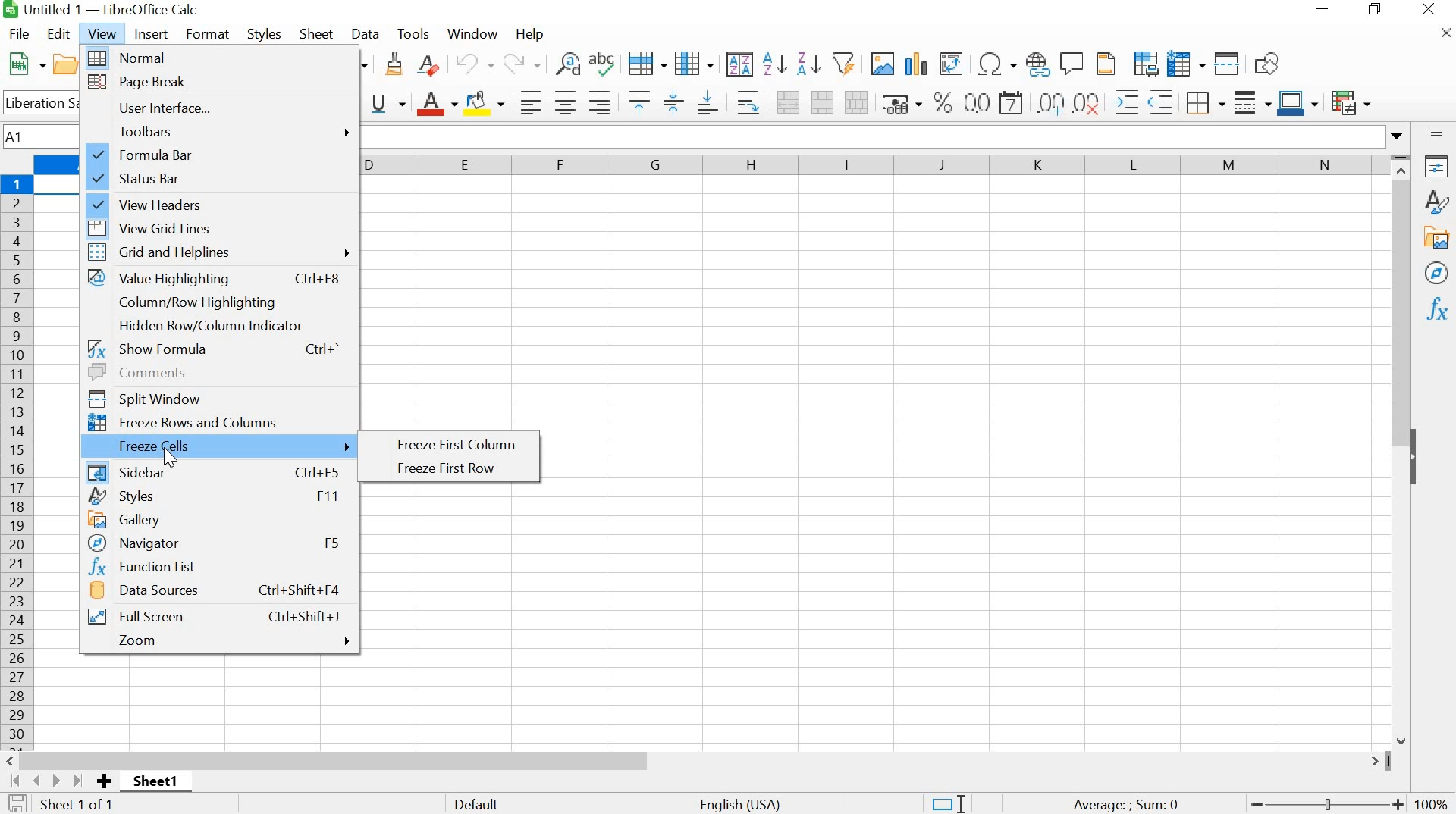 The image size is (1456, 814). Describe the element at coordinates (1250, 102) in the screenshot. I see `BORDER STYLE` at that location.